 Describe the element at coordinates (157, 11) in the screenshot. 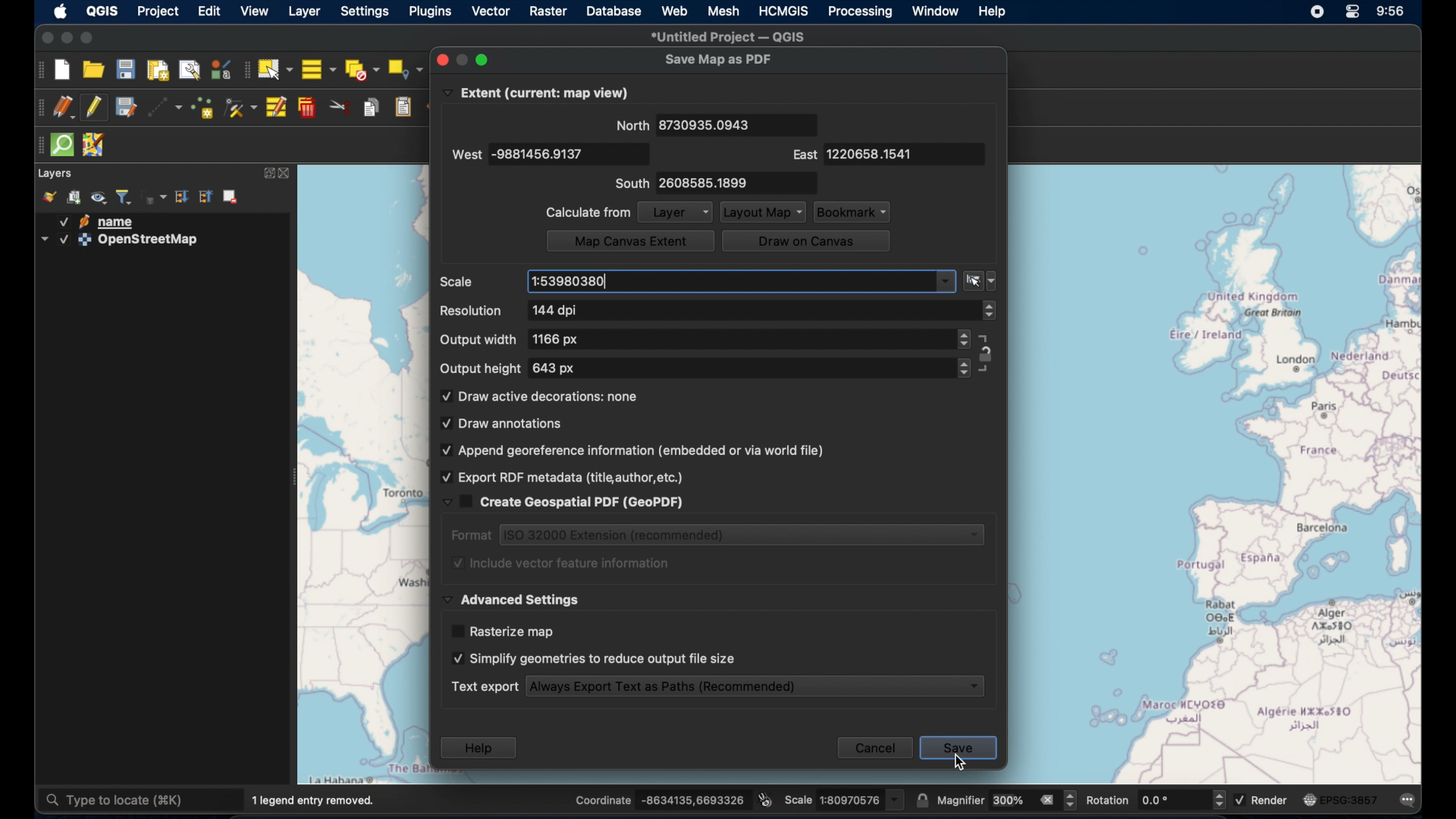

I see `project selected` at that location.